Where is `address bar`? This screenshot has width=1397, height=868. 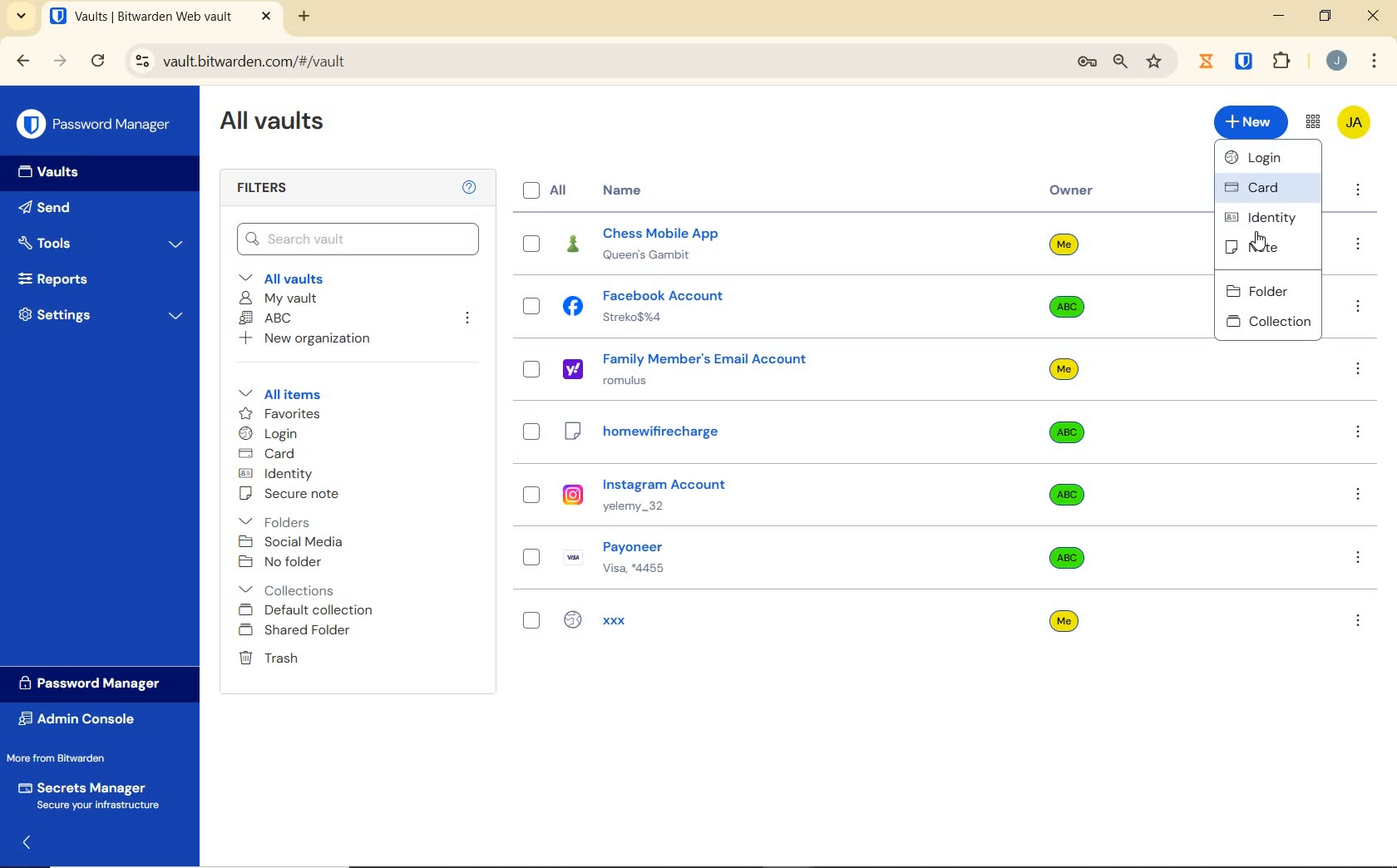
address bar is located at coordinates (589, 61).